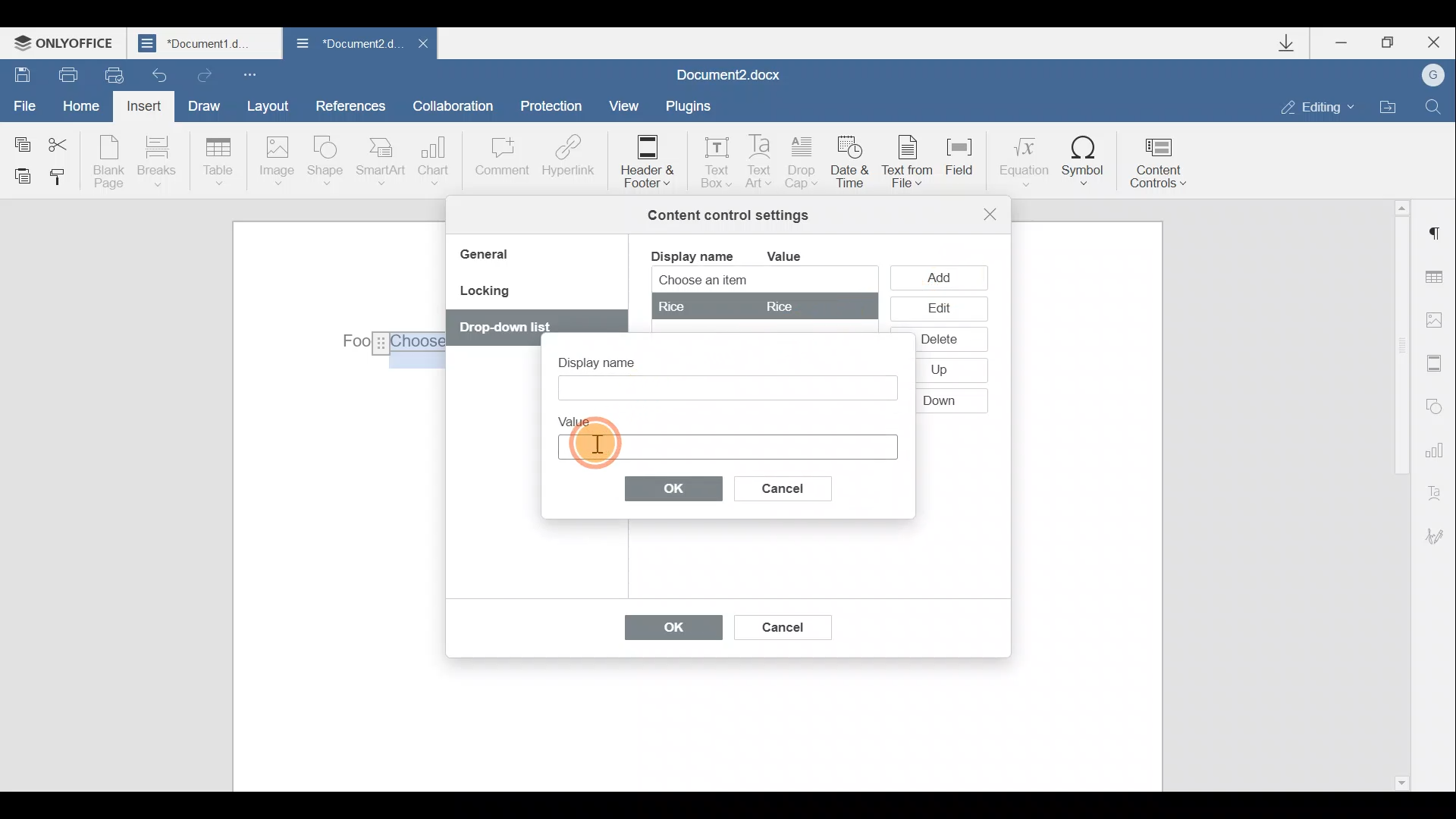  What do you see at coordinates (852, 165) in the screenshot?
I see `Date & time` at bounding box center [852, 165].